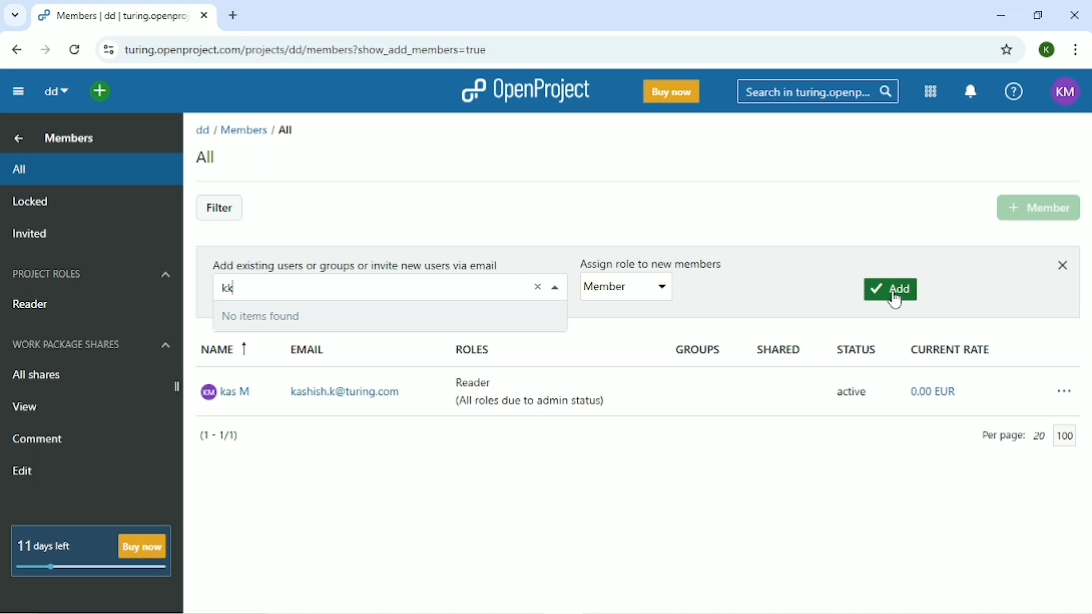  I want to click on Close, so click(1074, 15).